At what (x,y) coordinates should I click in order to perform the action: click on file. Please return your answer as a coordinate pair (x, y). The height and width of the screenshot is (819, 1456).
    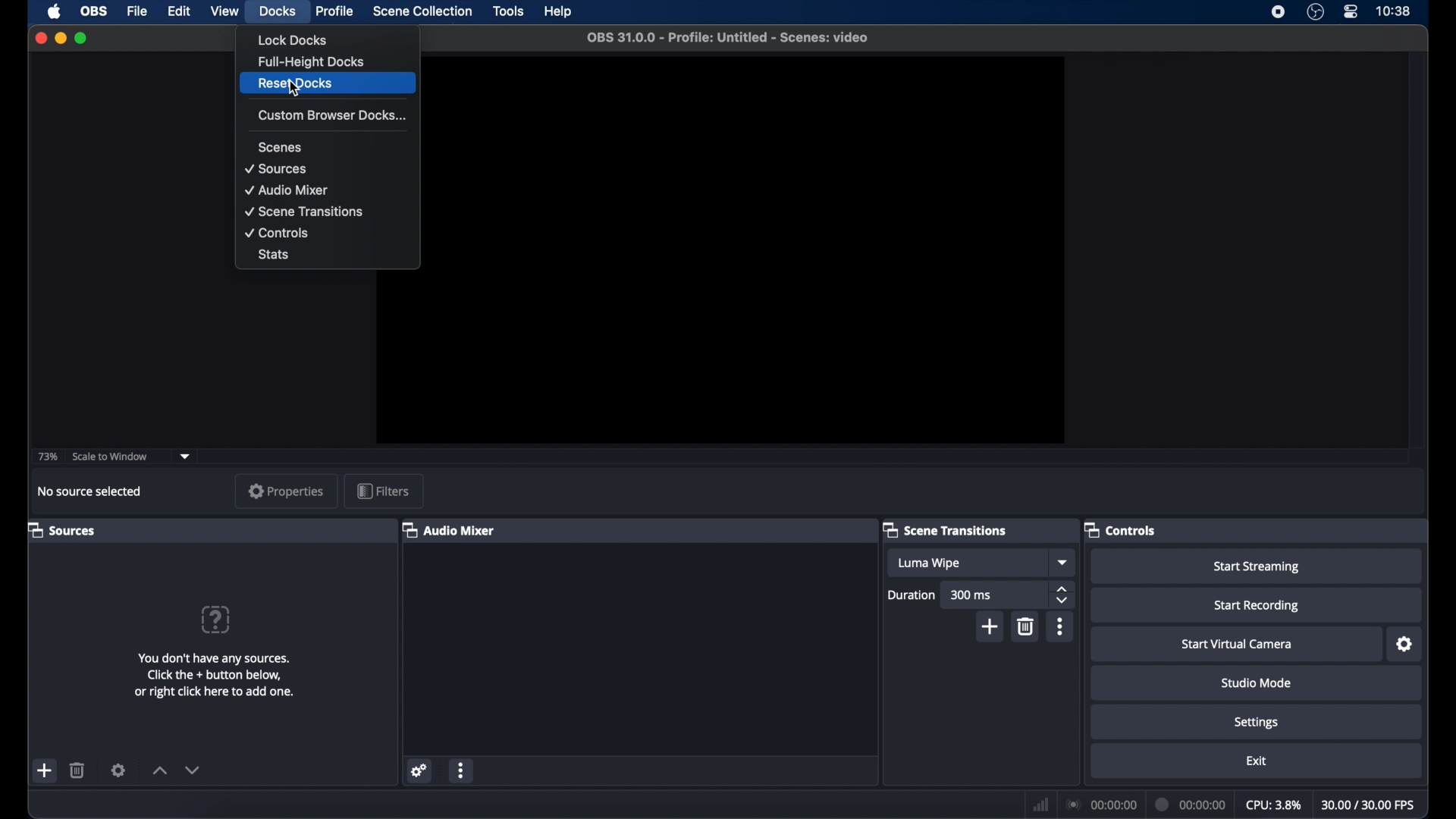
    Looking at the image, I should click on (137, 11).